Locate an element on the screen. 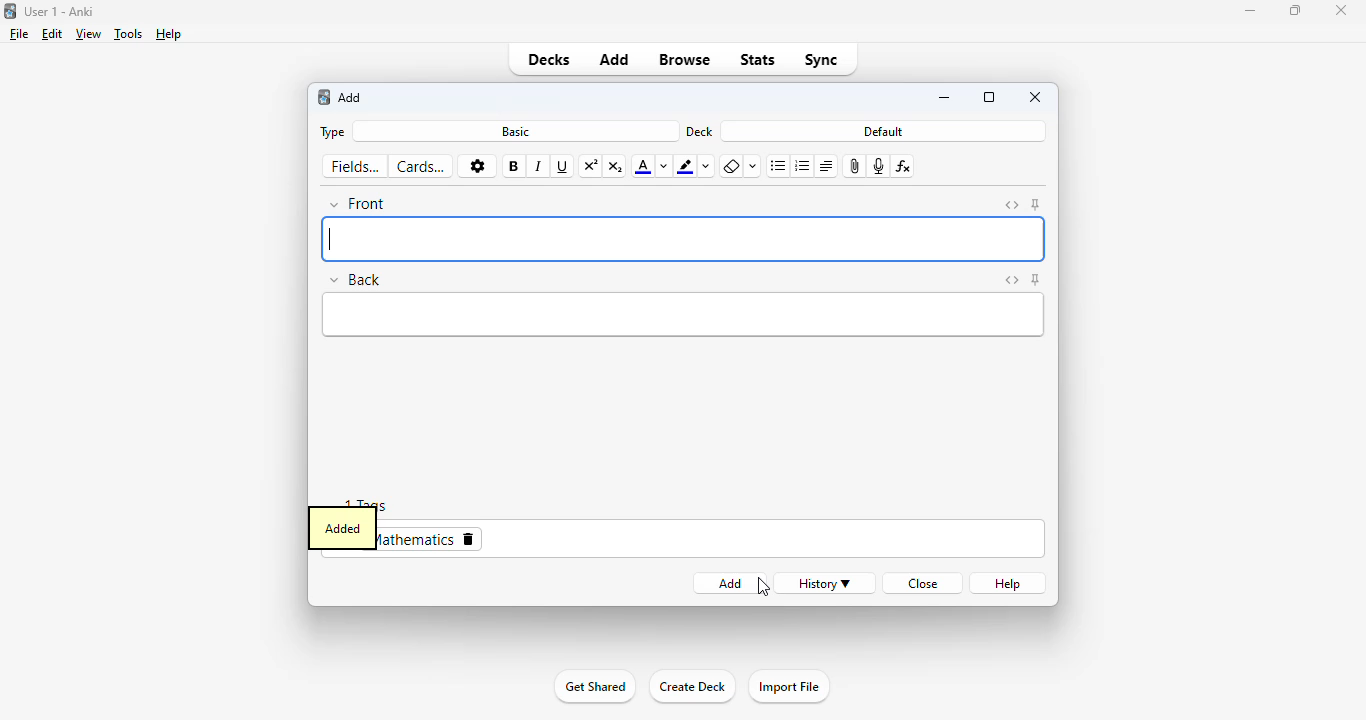  subscript is located at coordinates (616, 166).